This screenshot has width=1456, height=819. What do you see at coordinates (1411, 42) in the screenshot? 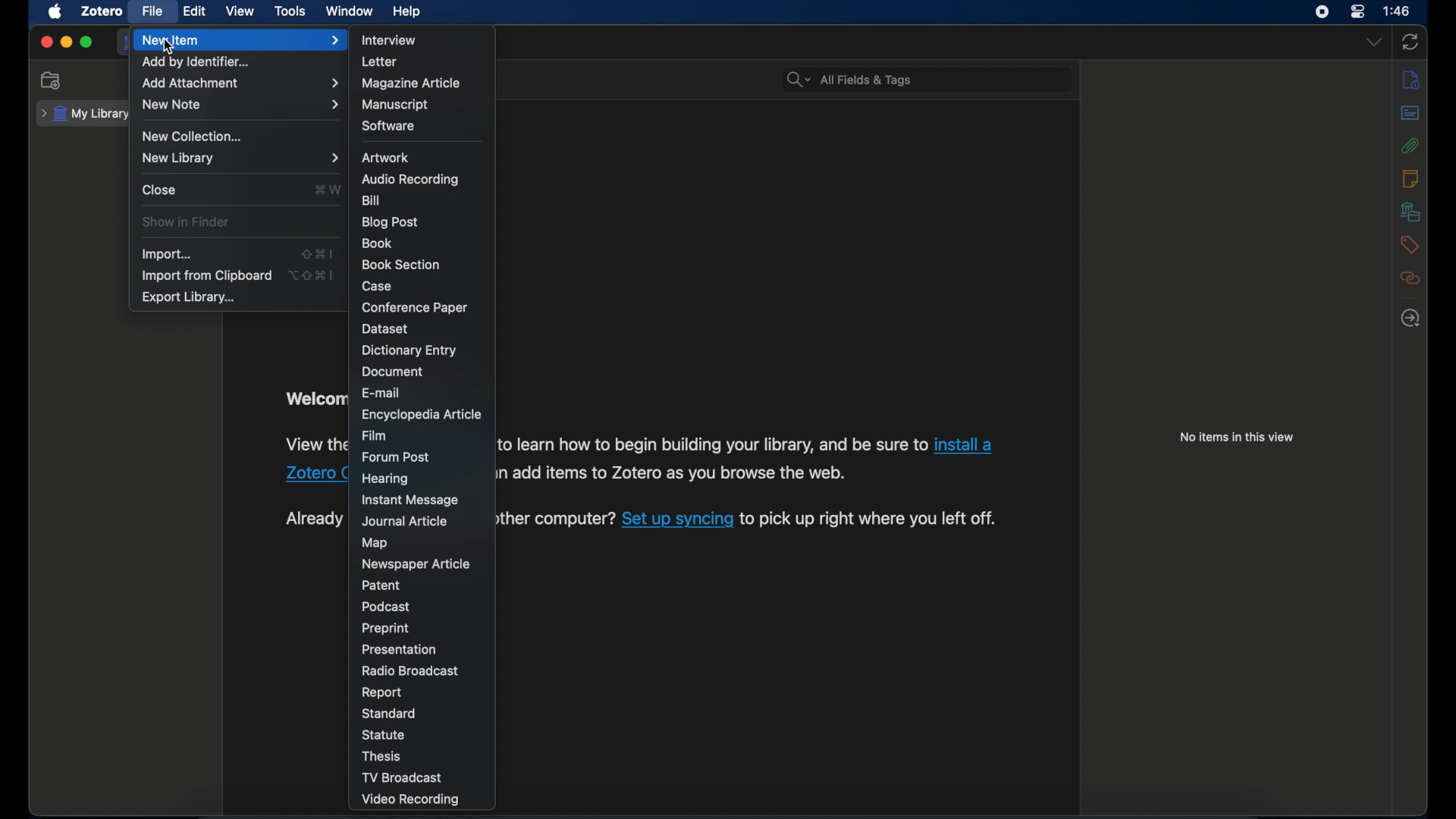
I see `sync` at bounding box center [1411, 42].